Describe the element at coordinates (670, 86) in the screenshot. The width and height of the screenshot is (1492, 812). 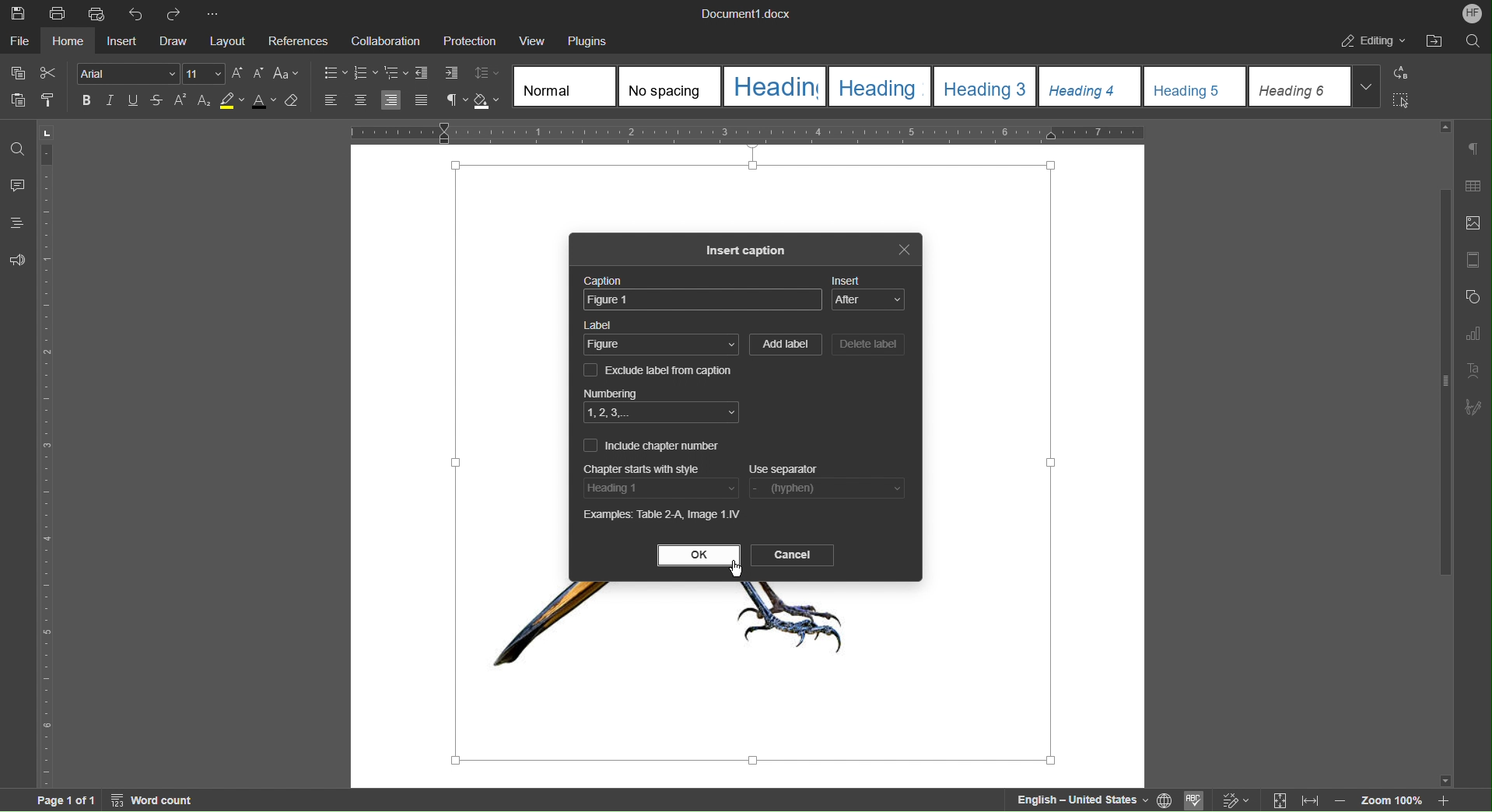
I see `No spacing ` at that location.